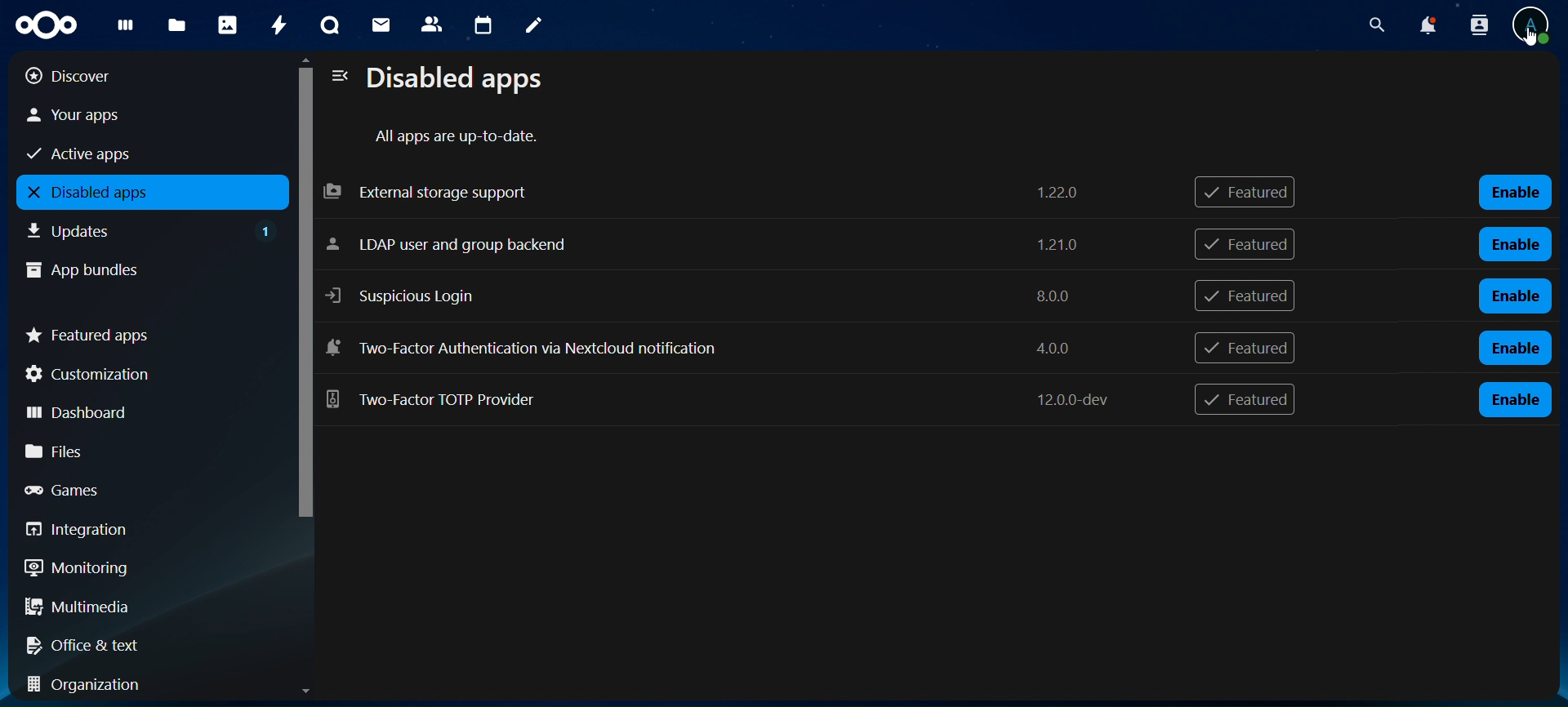 This screenshot has height=707, width=1568. What do you see at coordinates (302, 307) in the screenshot?
I see `scrollbar` at bounding box center [302, 307].